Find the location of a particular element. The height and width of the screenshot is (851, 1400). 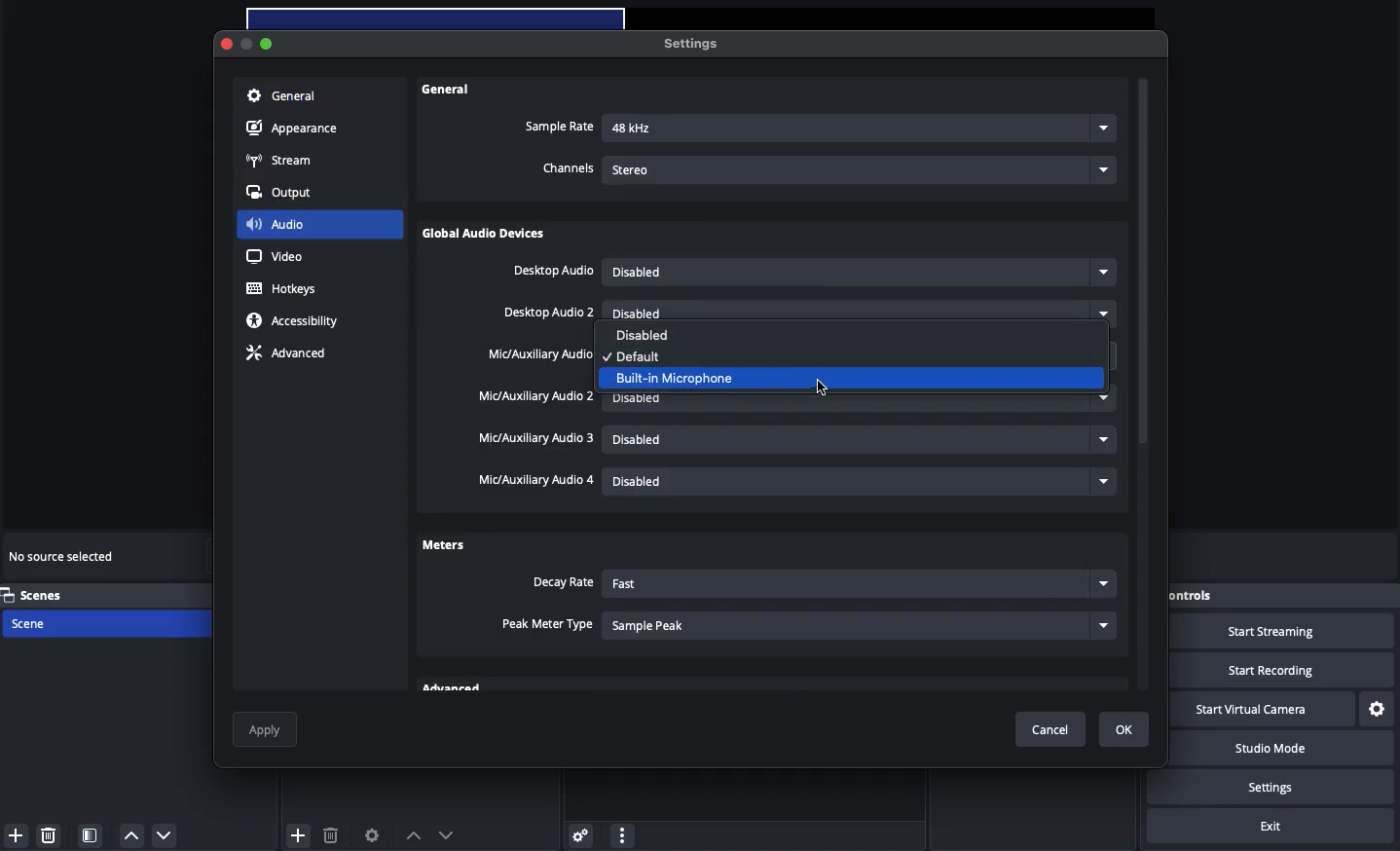

Desktop audio 2 is located at coordinates (550, 314).